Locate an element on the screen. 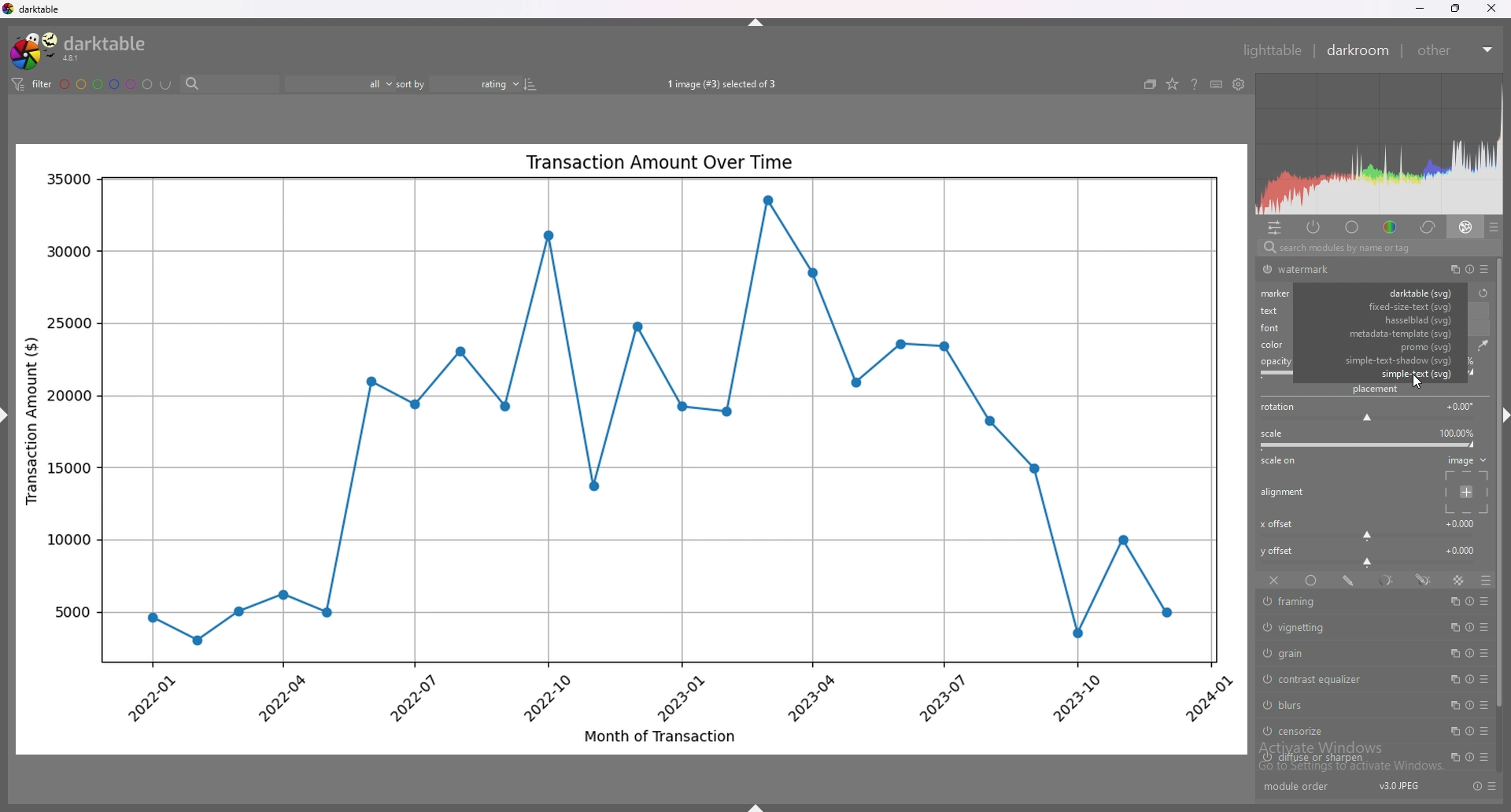 This screenshot has width=1511, height=812. drawn mask is located at coordinates (1350, 580).